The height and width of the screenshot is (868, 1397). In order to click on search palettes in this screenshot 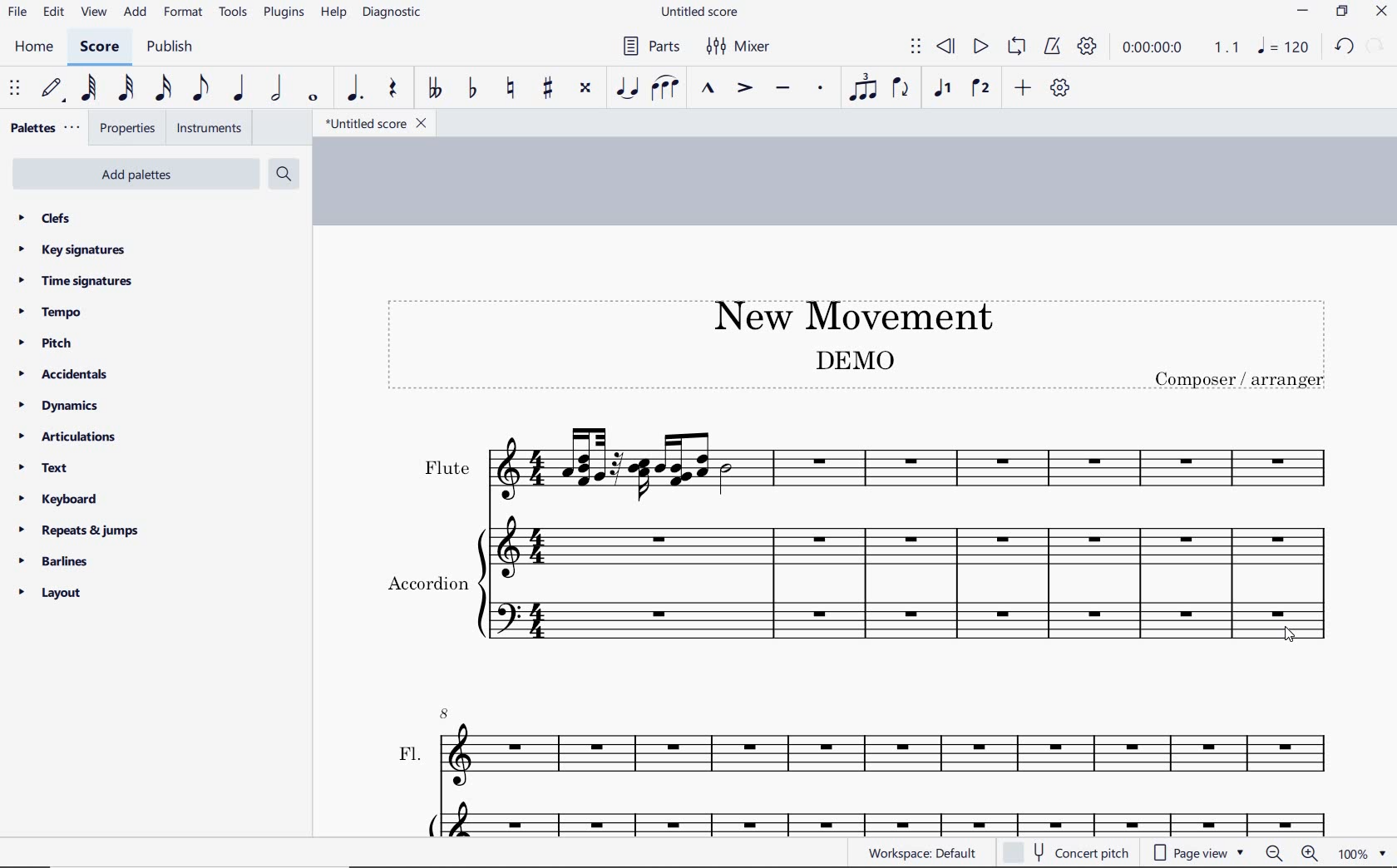, I will do `click(282, 175)`.